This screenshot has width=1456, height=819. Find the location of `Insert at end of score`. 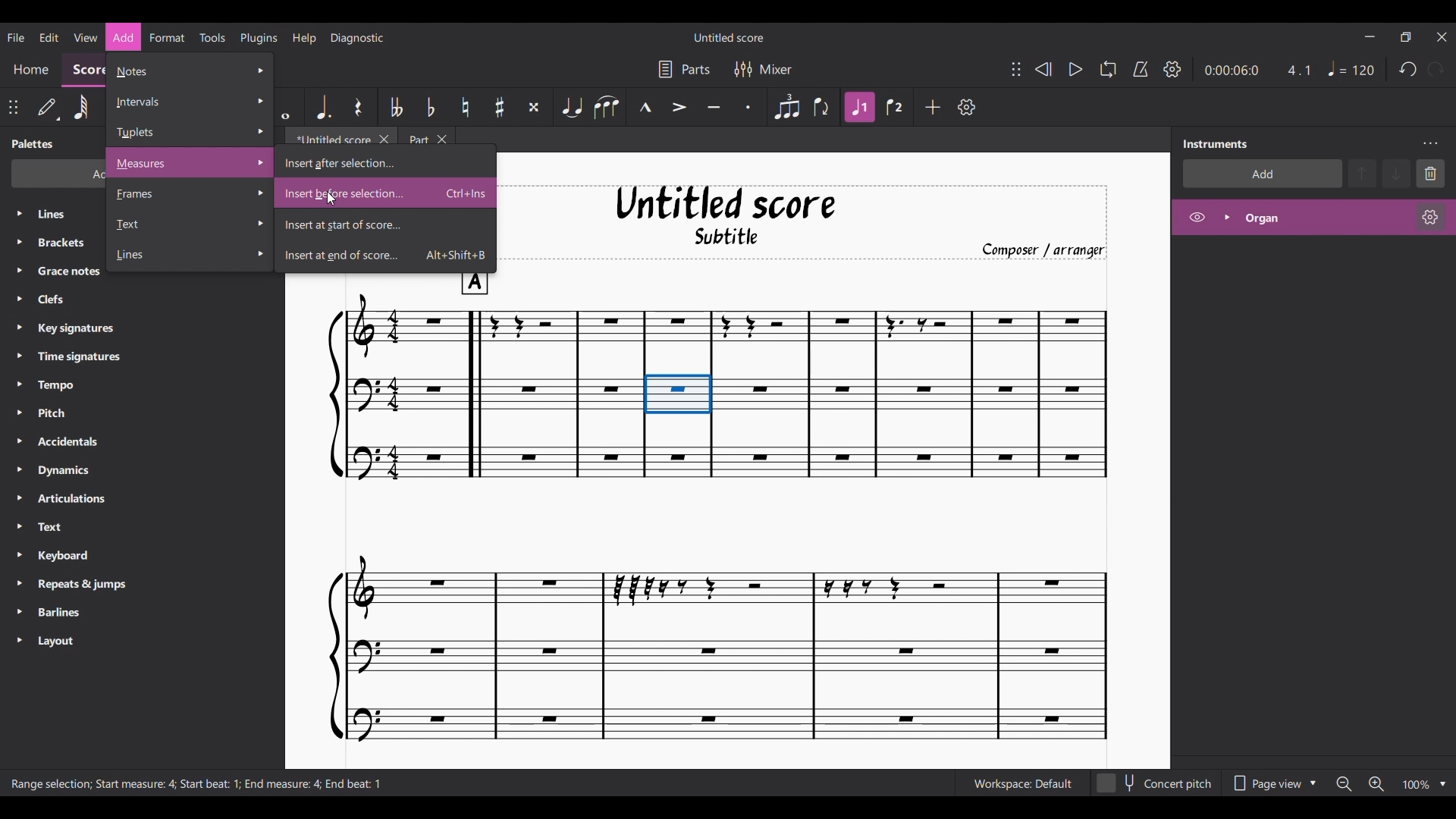

Insert at end of score is located at coordinates (385, 257).